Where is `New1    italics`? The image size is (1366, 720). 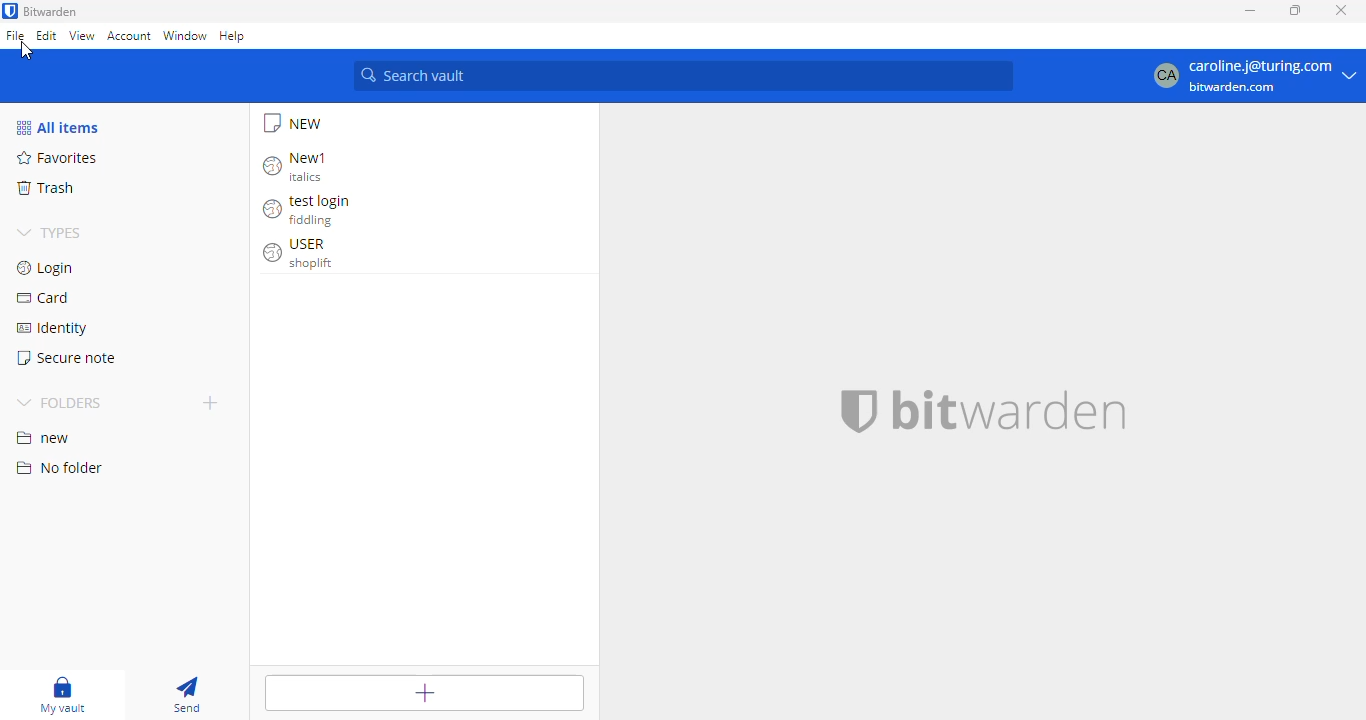 New1    italics is located at coordinates (298, 166).